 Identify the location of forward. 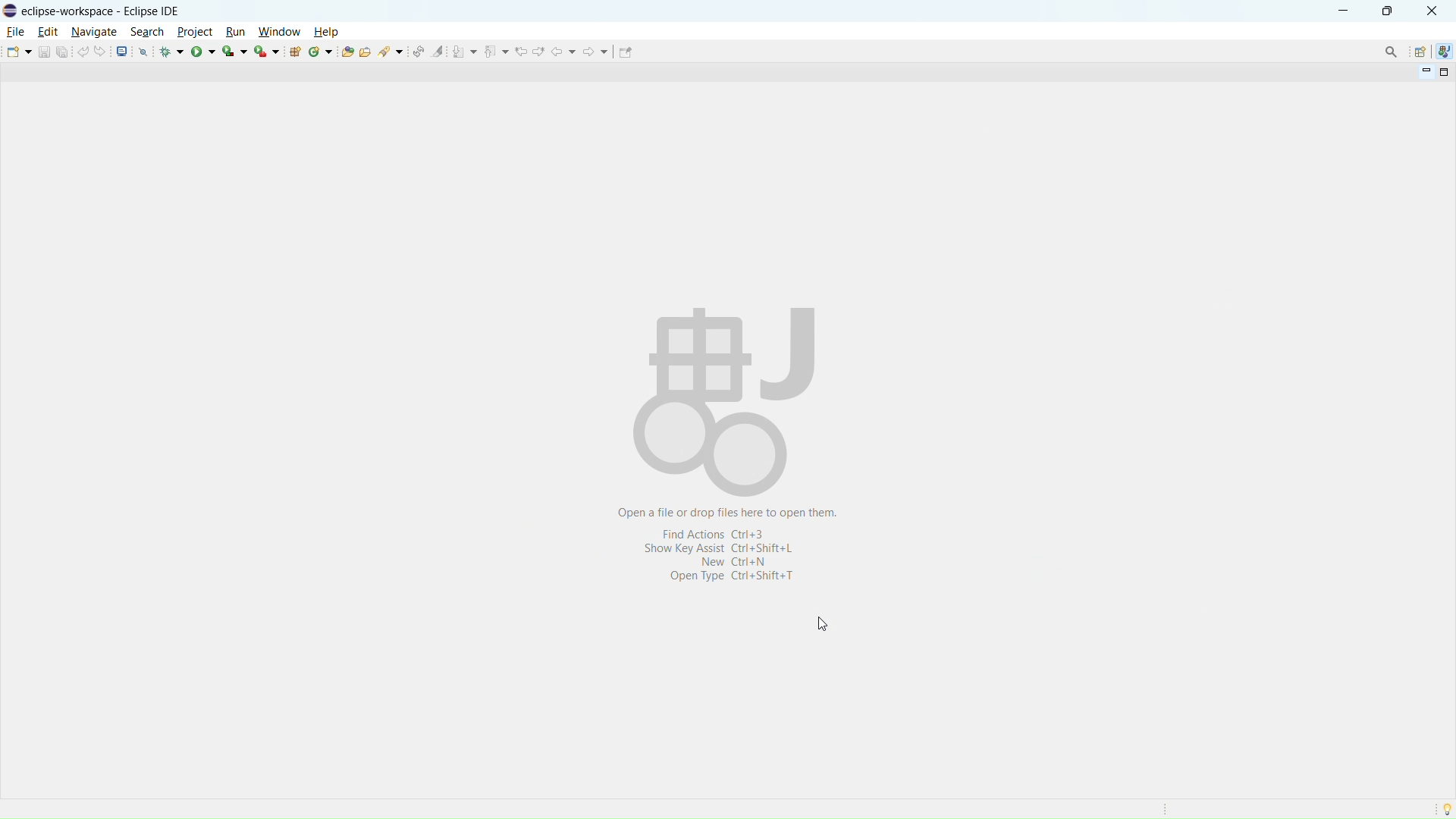
(596, 52).